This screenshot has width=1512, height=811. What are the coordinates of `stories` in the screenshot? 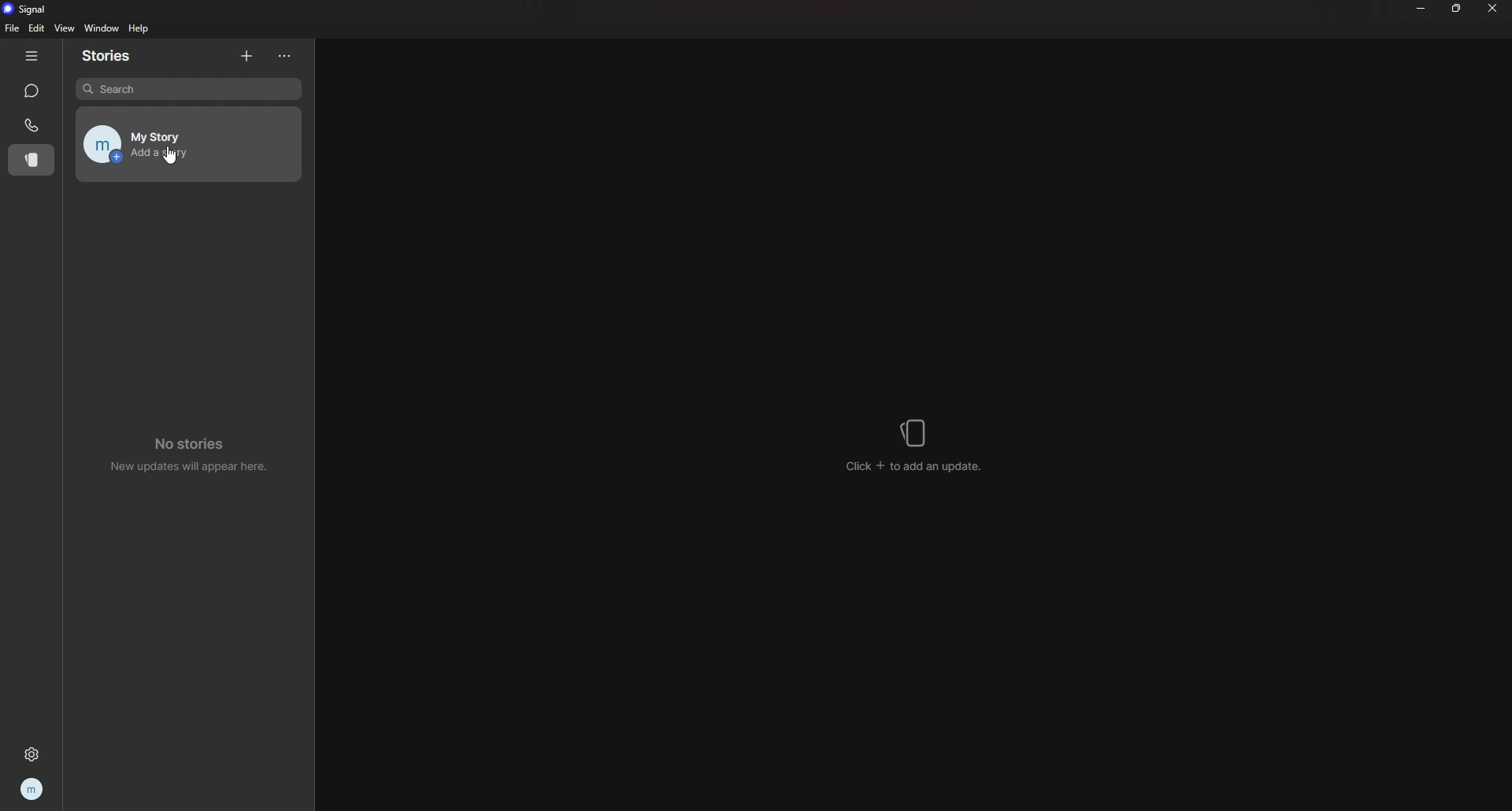 It's located at (114, 56).